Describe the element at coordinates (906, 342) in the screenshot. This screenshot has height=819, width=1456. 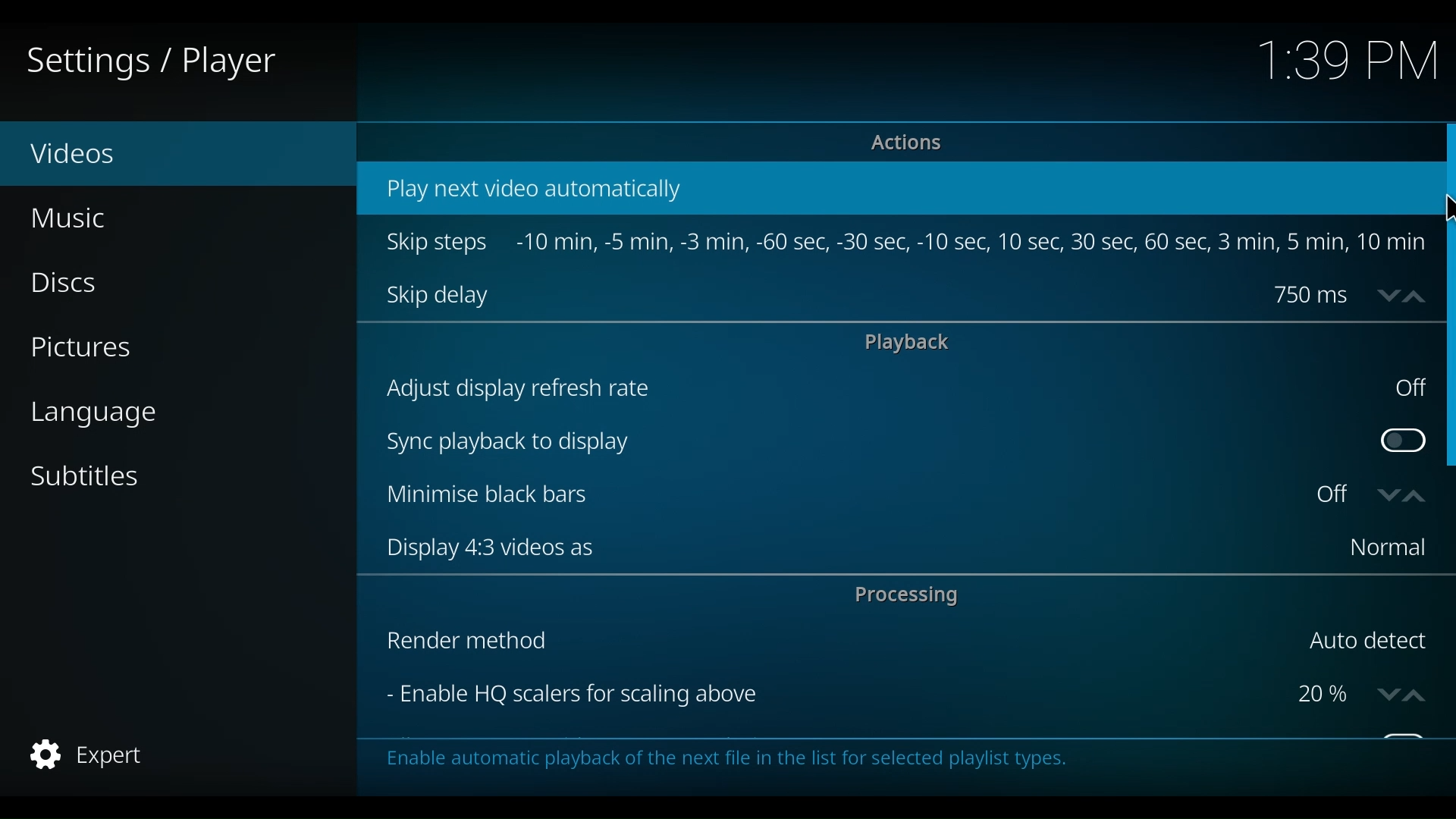
I see `playback` at that location.